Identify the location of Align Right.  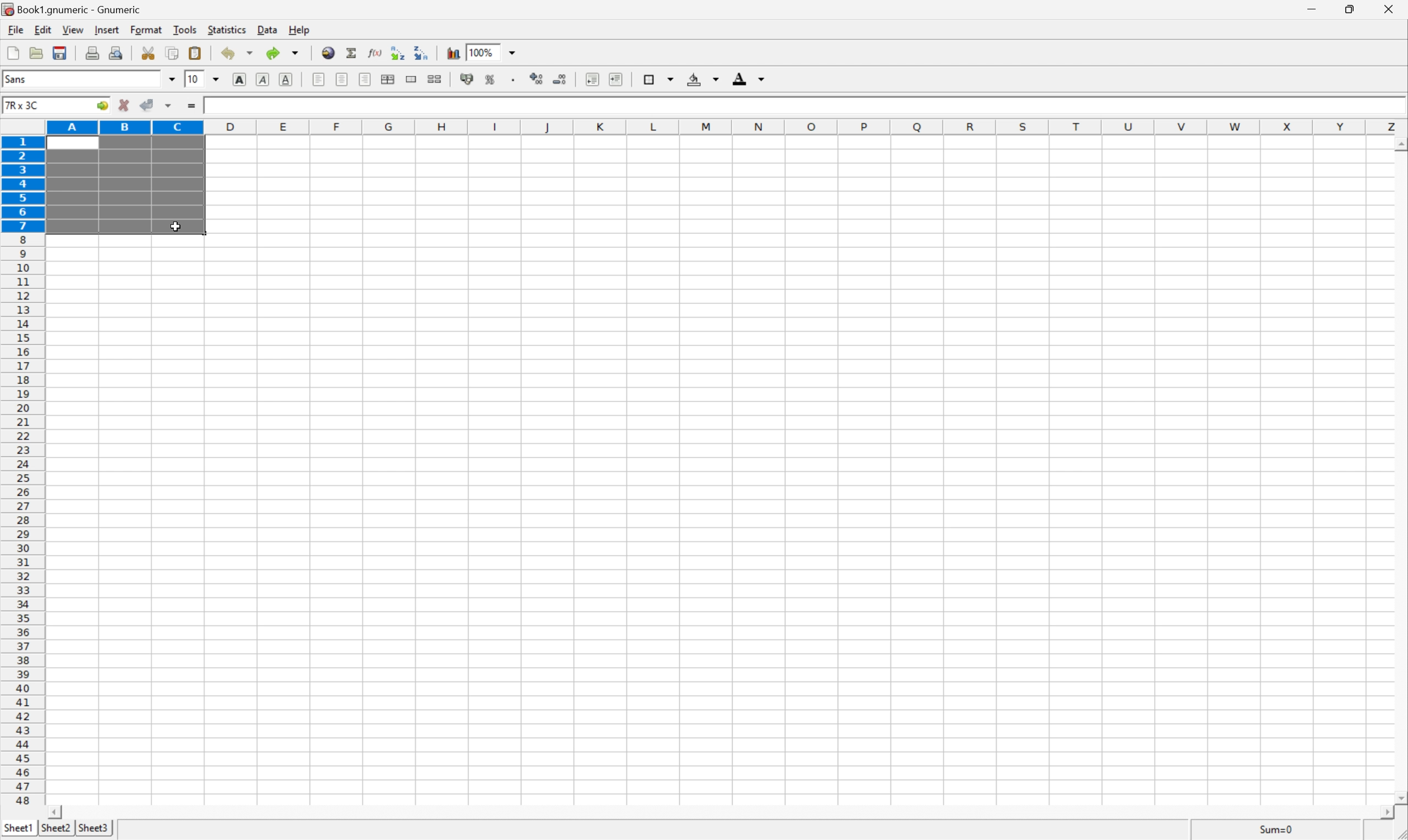
(366, 79).